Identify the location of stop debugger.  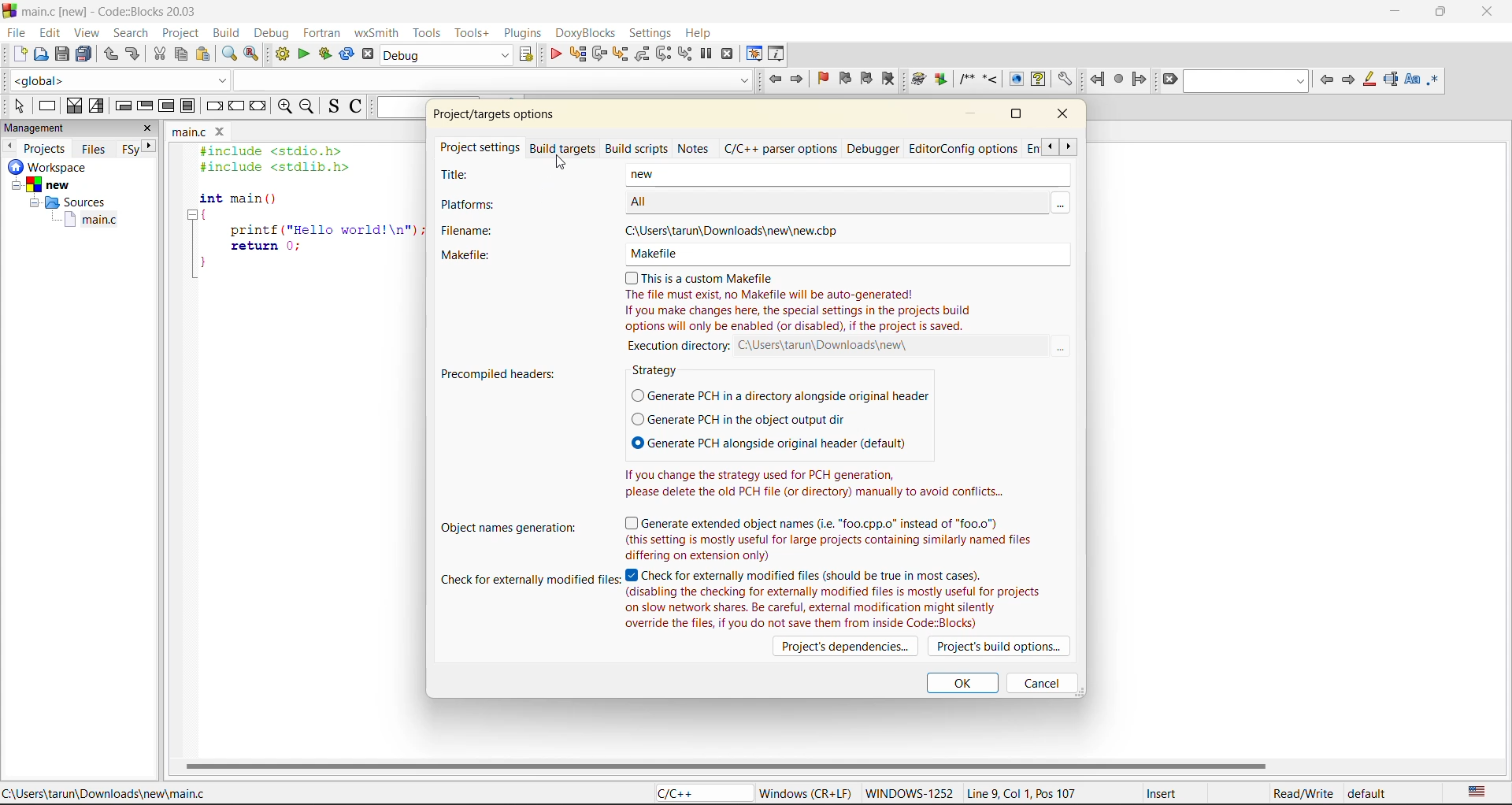
(728, 54).